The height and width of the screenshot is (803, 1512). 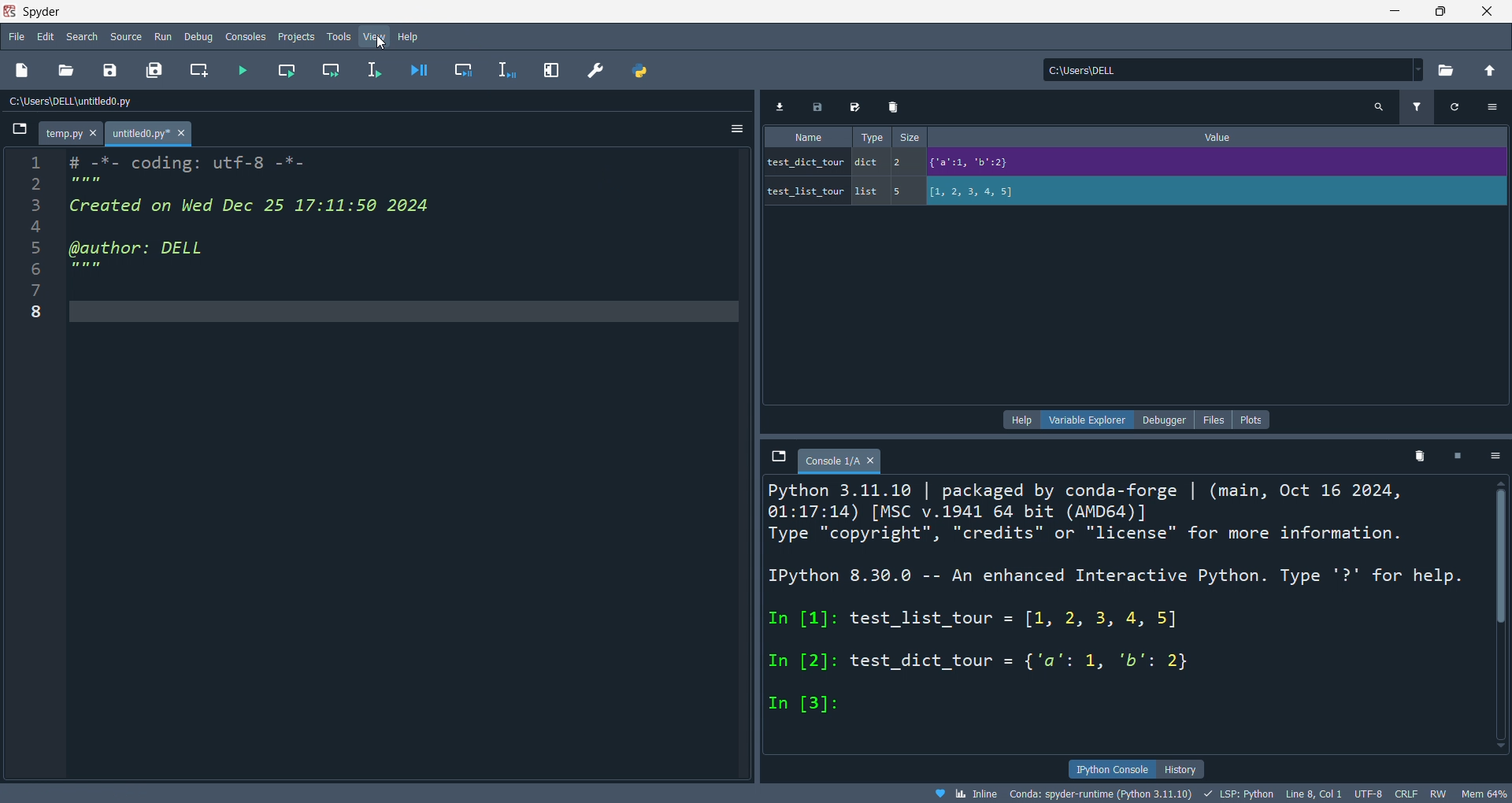 I want to click on ipython console pane, so click(x=769, y=601).